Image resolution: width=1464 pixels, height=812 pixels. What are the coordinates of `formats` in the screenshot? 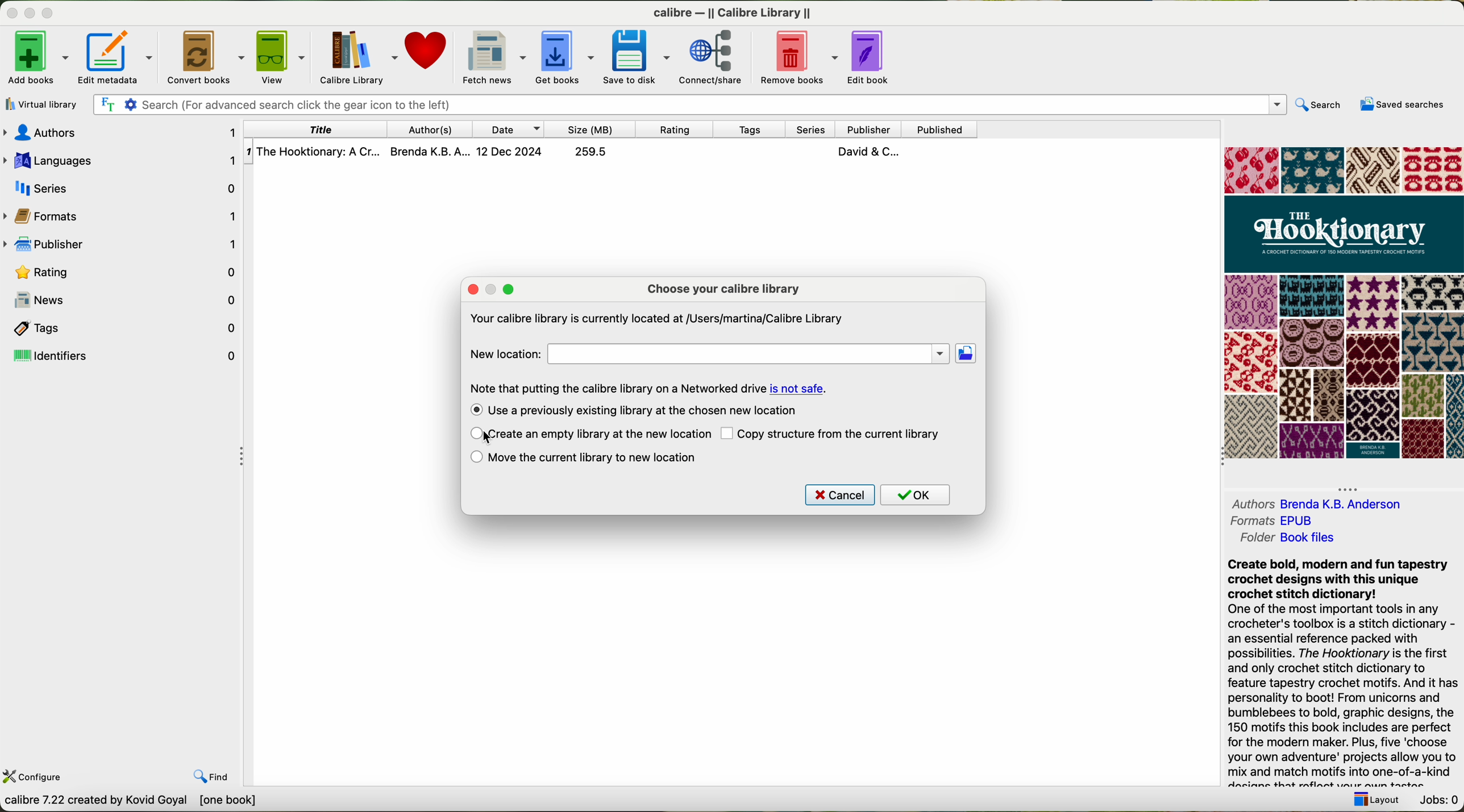 It's located at (123, 217).